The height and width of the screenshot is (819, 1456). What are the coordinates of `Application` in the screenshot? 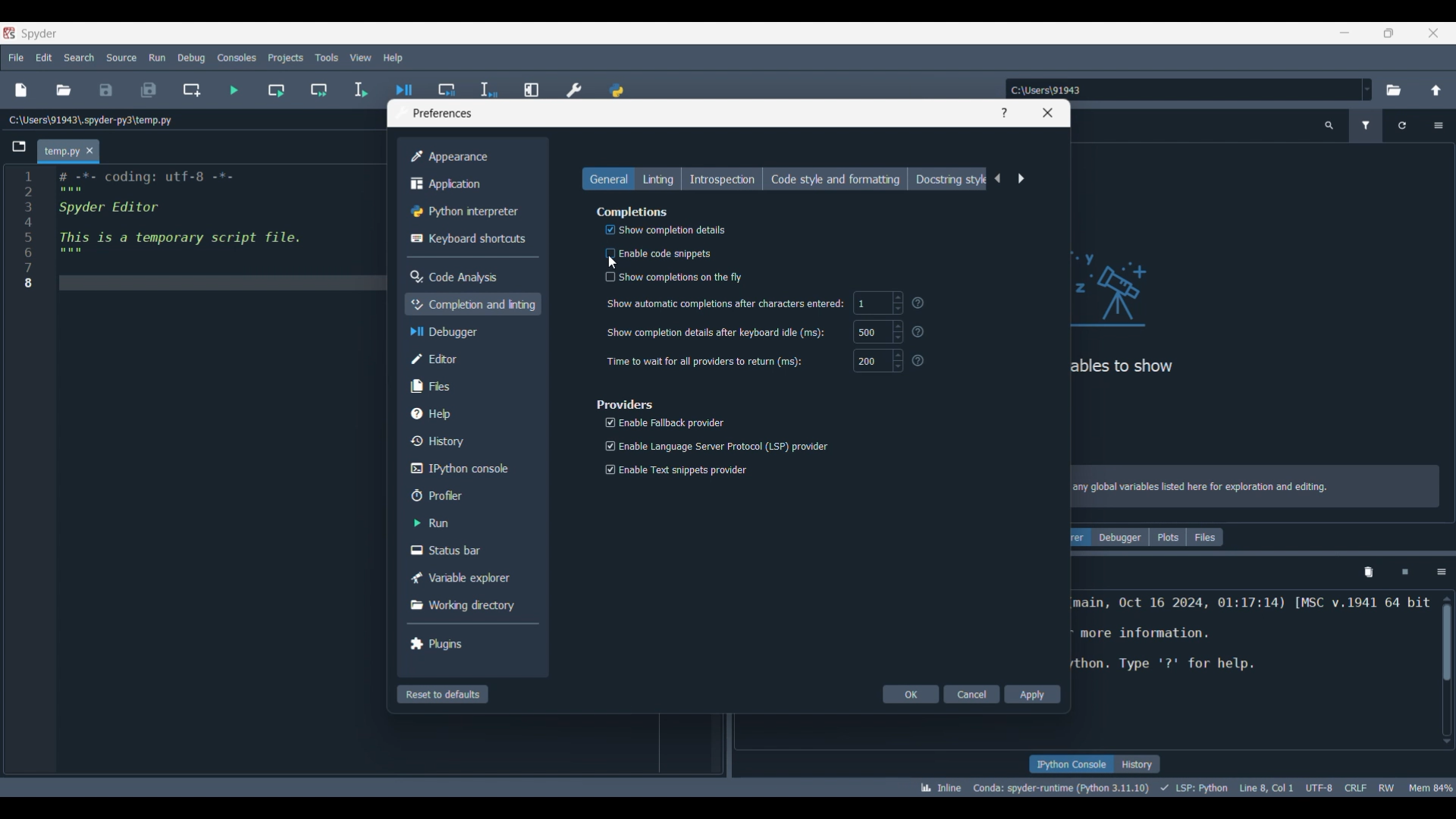 It's located at (469, 184).